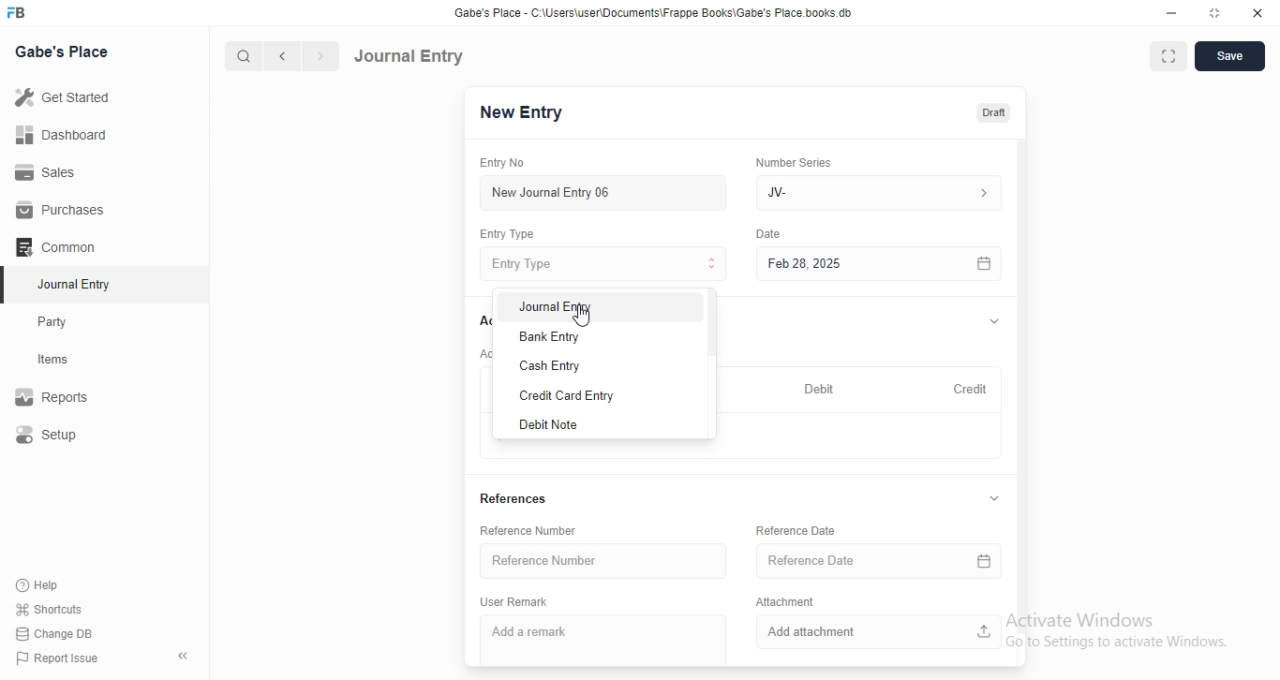 The height and width of the screenshot is (680, 1280). I want to click on Entry Type, so click(514, 233).